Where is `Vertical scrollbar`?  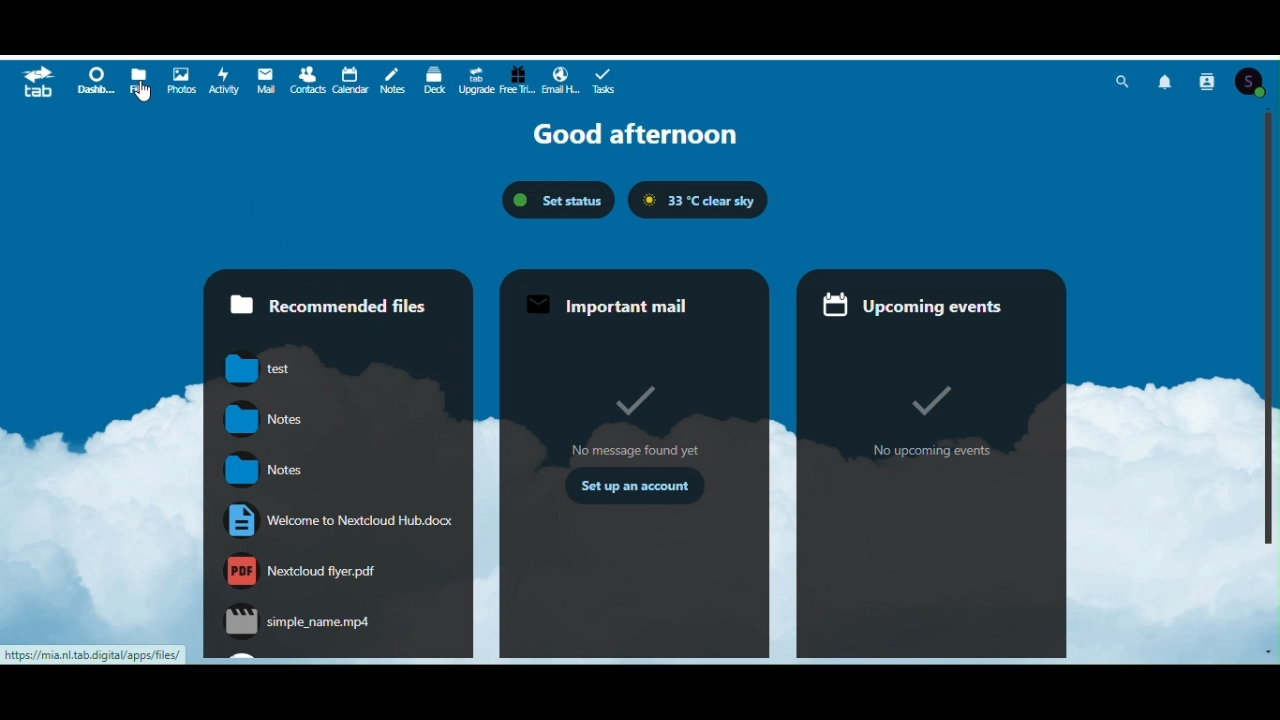
Vertical scrollbar is located at coordinates (1272, 327).